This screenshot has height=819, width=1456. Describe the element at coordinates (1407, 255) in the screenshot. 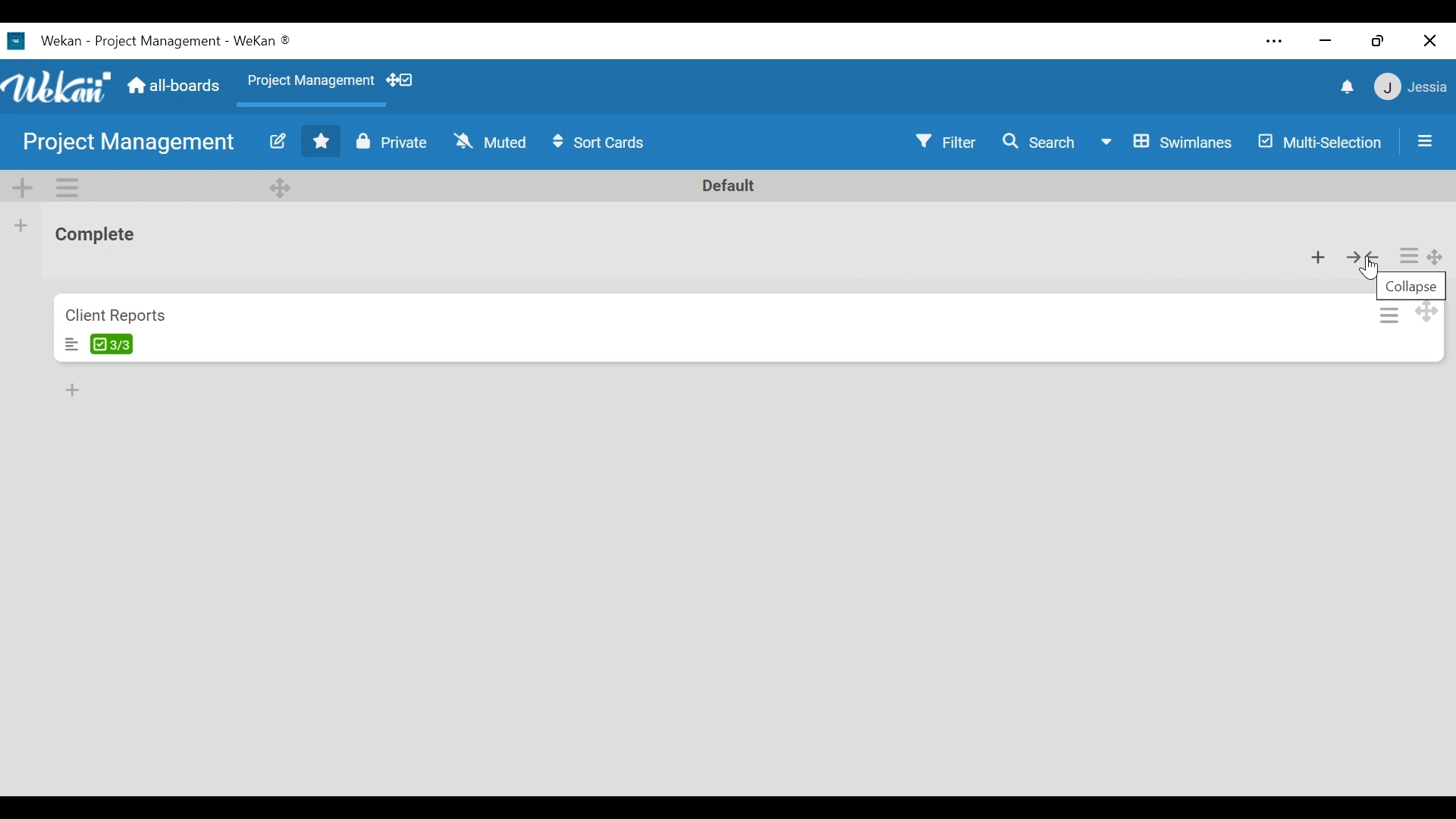

I see `List actions` at that location.